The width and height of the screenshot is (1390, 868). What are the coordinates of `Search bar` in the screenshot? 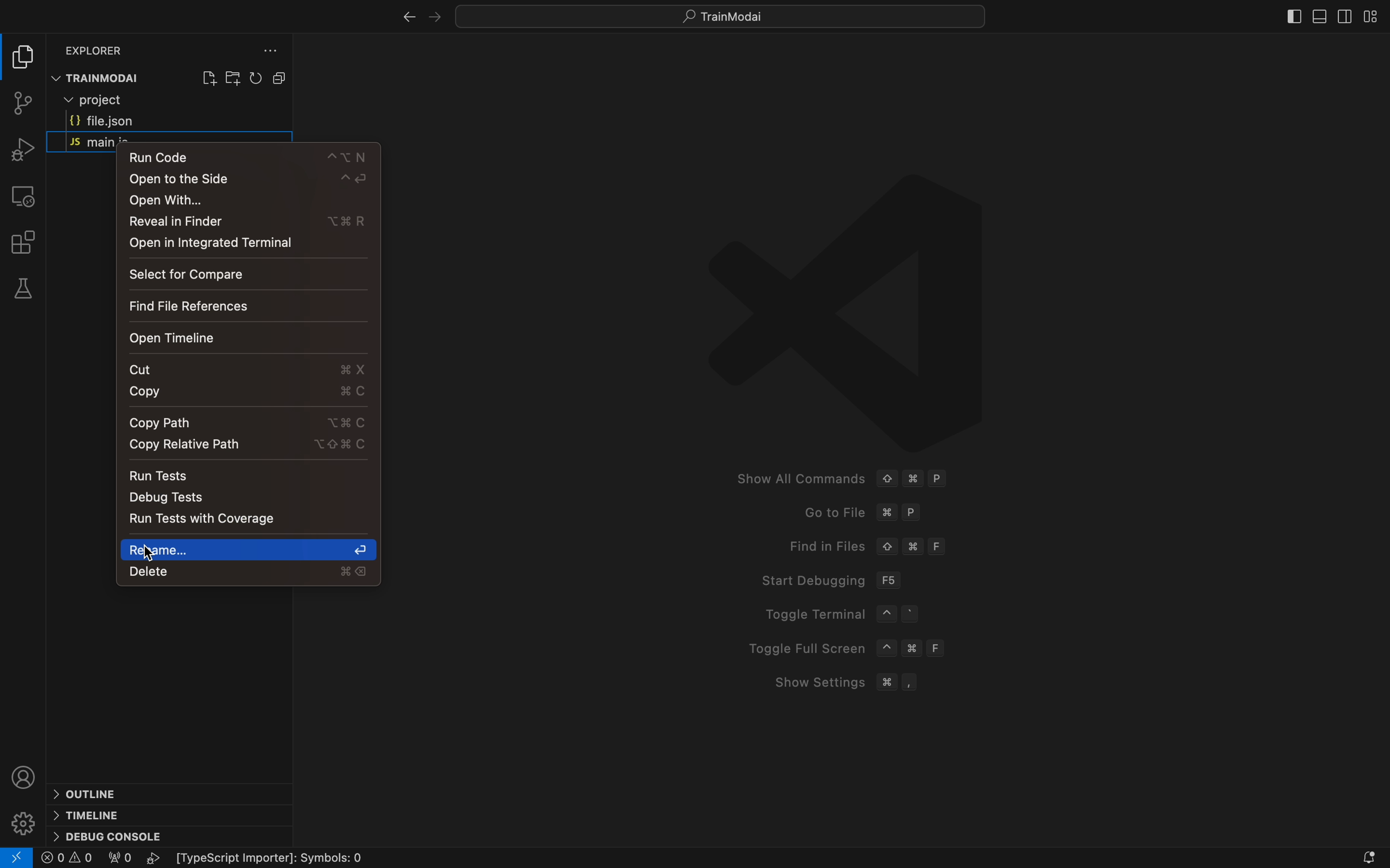 It's located at (725, 15).